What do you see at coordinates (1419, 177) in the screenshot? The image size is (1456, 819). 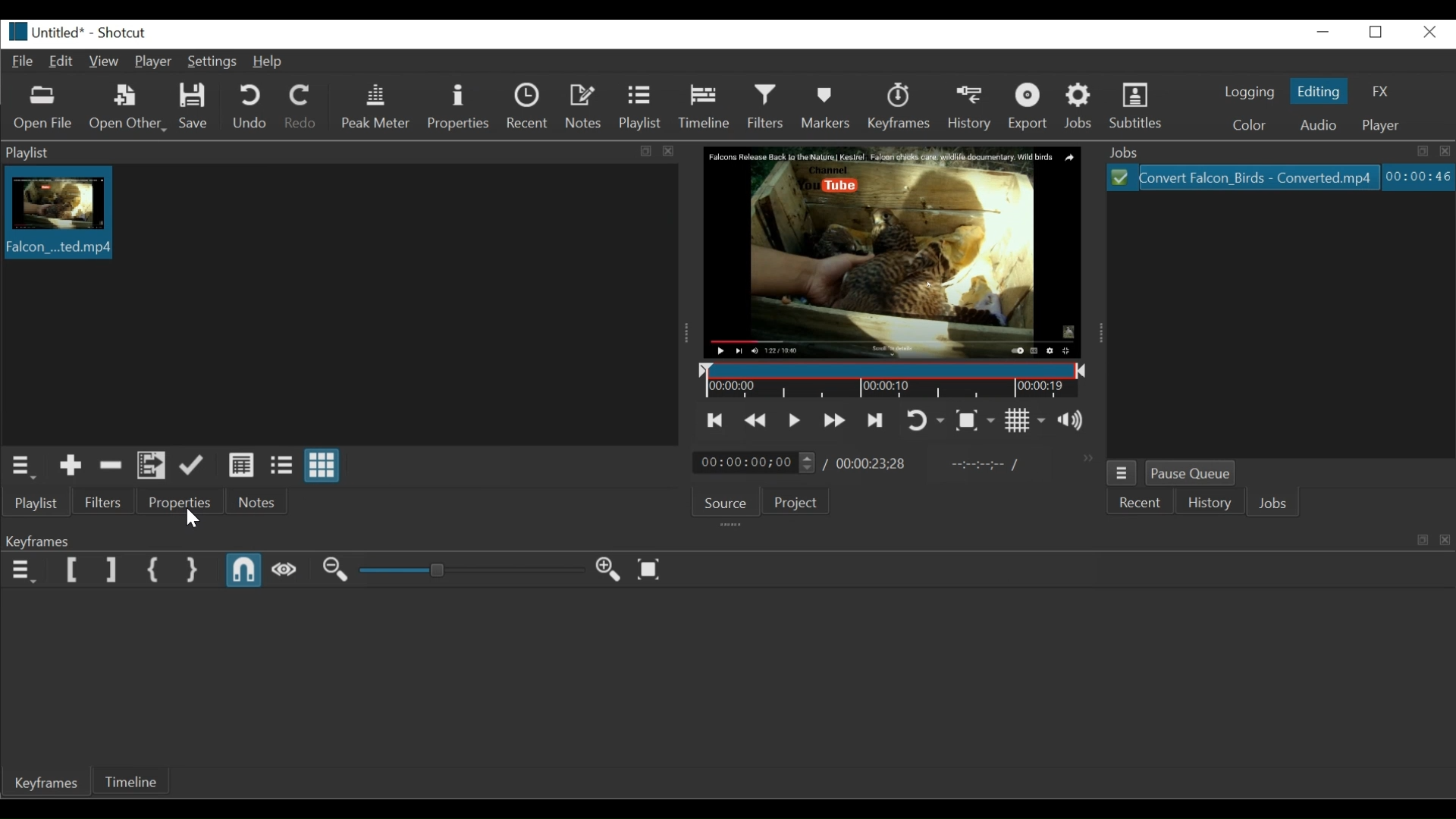 I see `Elapsed Hours: Minutes: Seconds` at bounding box center [1419, 177].